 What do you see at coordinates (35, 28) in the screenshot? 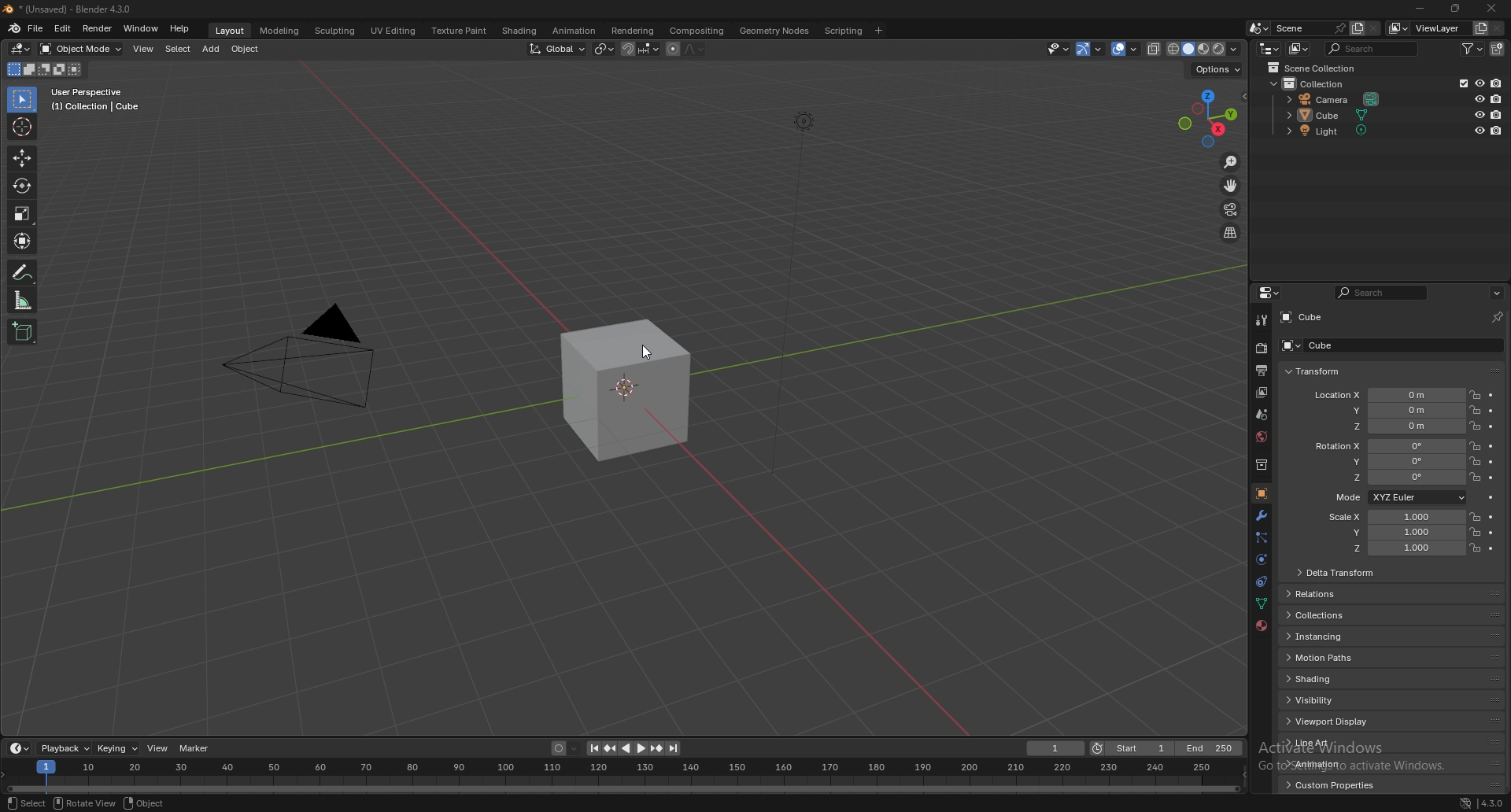
I see `file` at bounding box center [35, 28].